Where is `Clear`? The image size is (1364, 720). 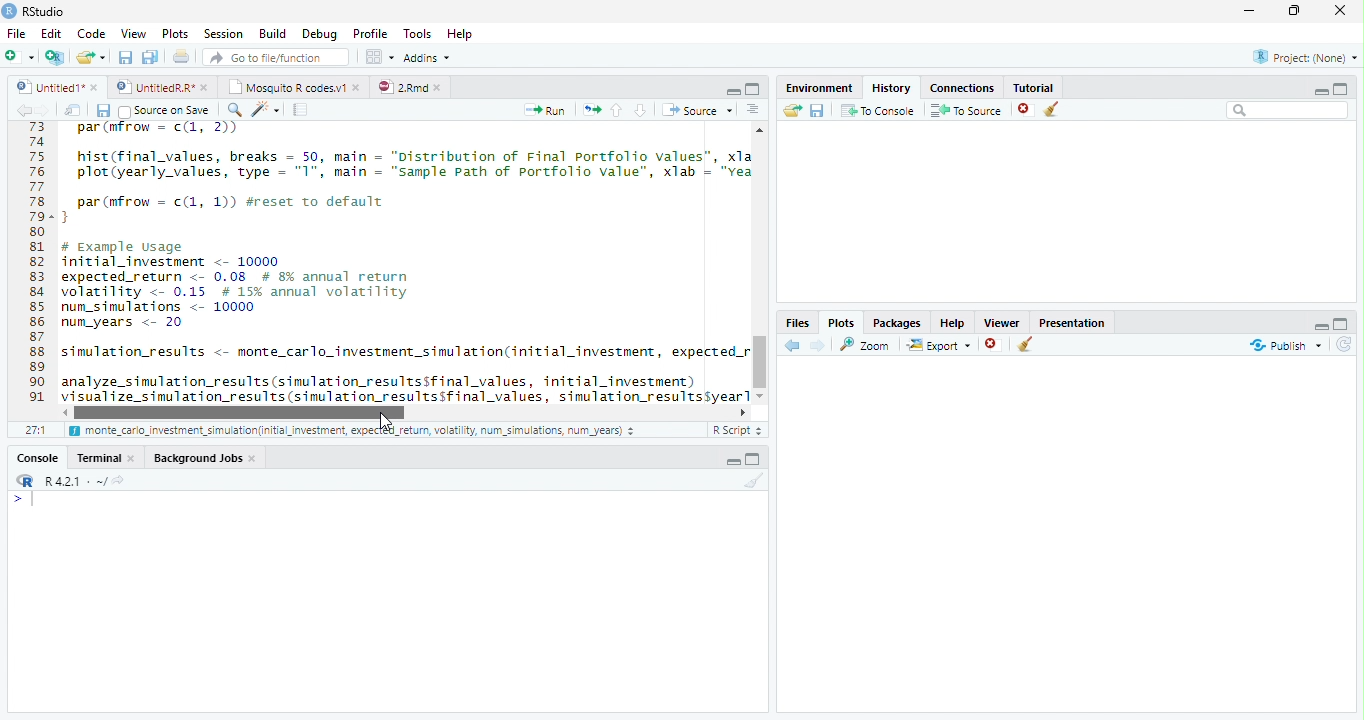 Clear is located at coordinates (1056, 110).